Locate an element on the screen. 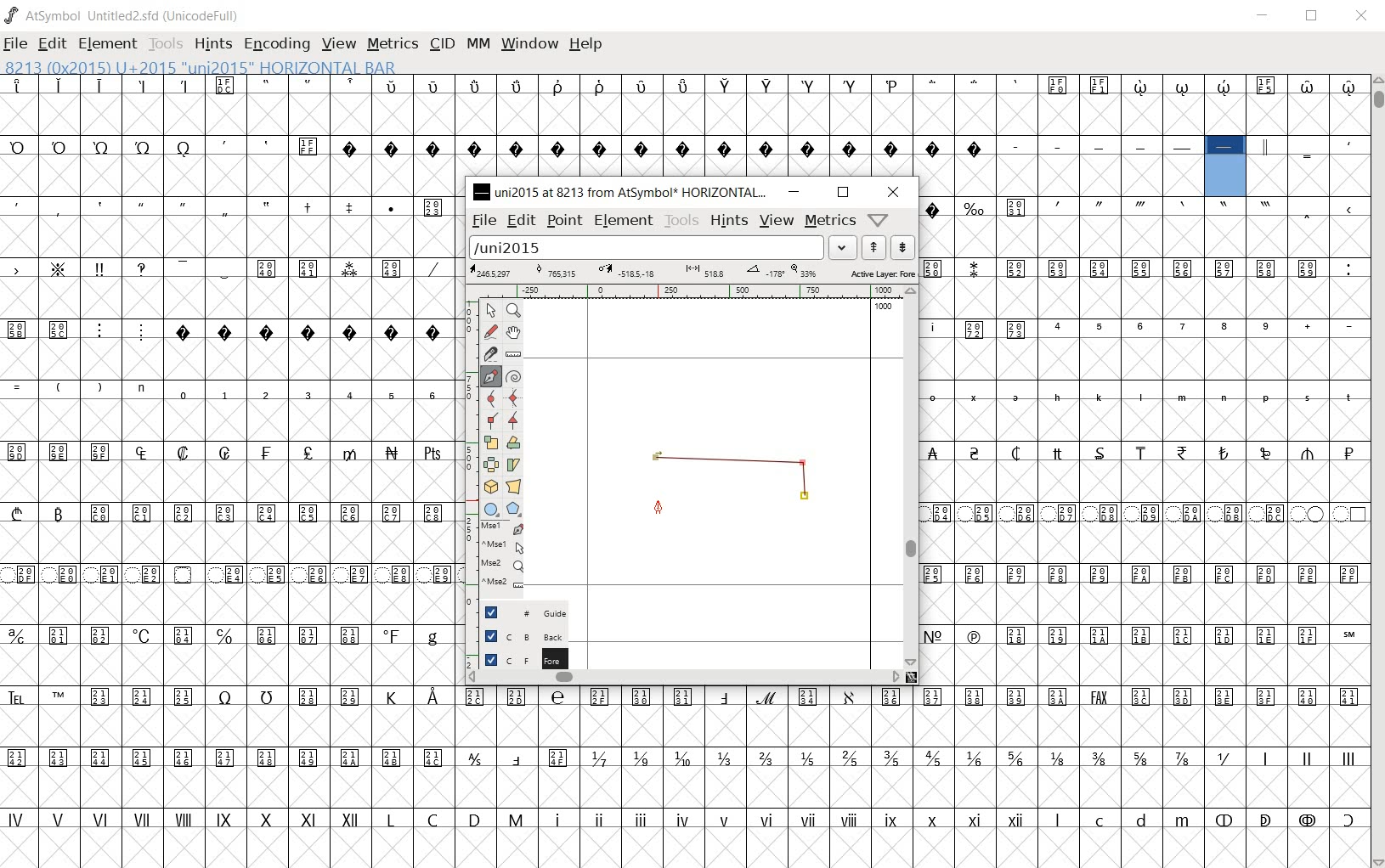 The width and height of the screenshot is (1385, 868). VIEW is located at coordinates (339, 45).